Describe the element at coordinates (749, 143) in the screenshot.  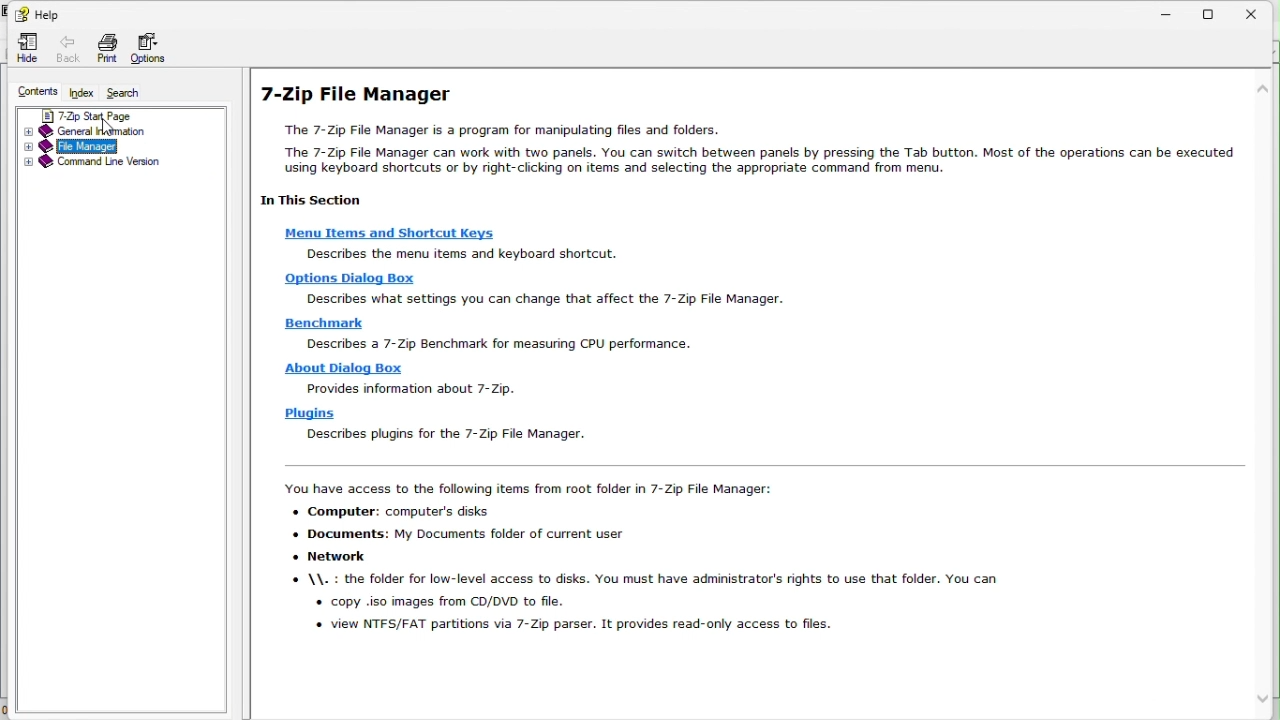
I see `7-Zip File Manager
The 7-Zip File Manager is a program for manipulating files and folders.
The 7-Zip File Manager can work with two panels. You can switch between panels by pressing the Tab button. Most of the operations can be executed
using keyboard shortcuts or by right-clicking on items and selecting the appropriate command from menu.

In This Section` at that location.